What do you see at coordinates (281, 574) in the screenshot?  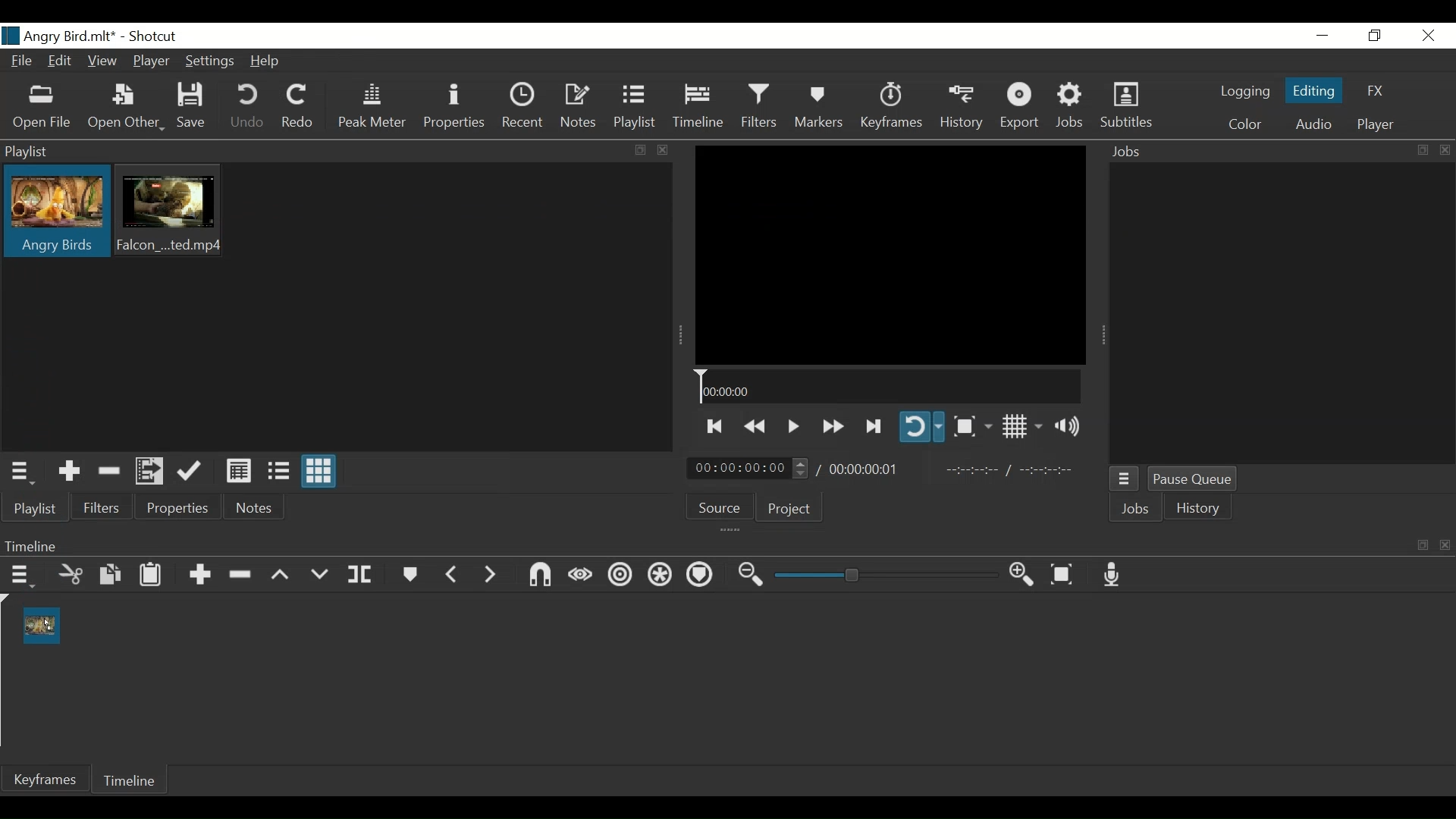 I see `Lift` at bounding box center [281, 574].